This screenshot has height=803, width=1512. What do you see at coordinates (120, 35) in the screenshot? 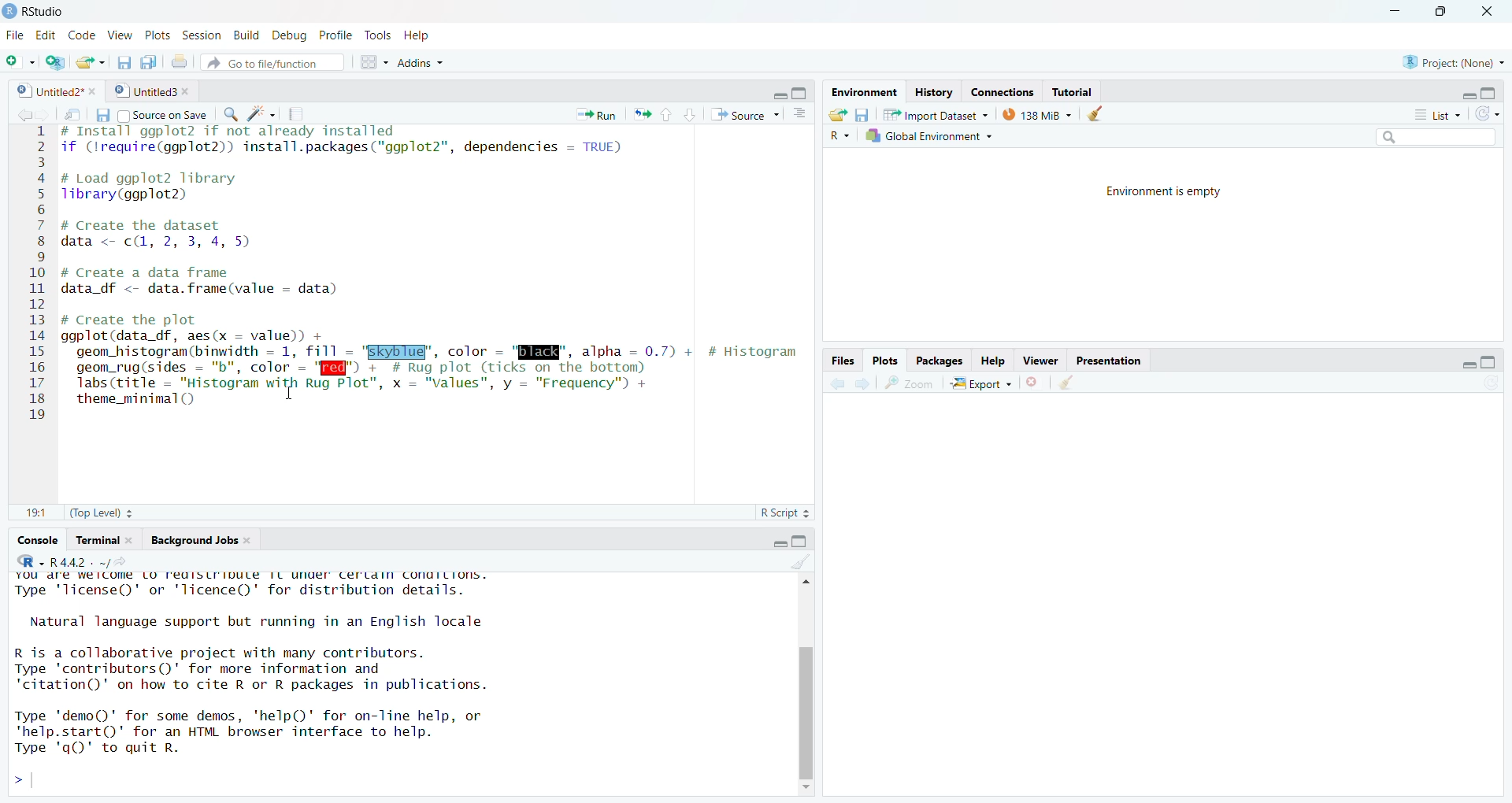
I see `View` at bounding box center [120, 35].